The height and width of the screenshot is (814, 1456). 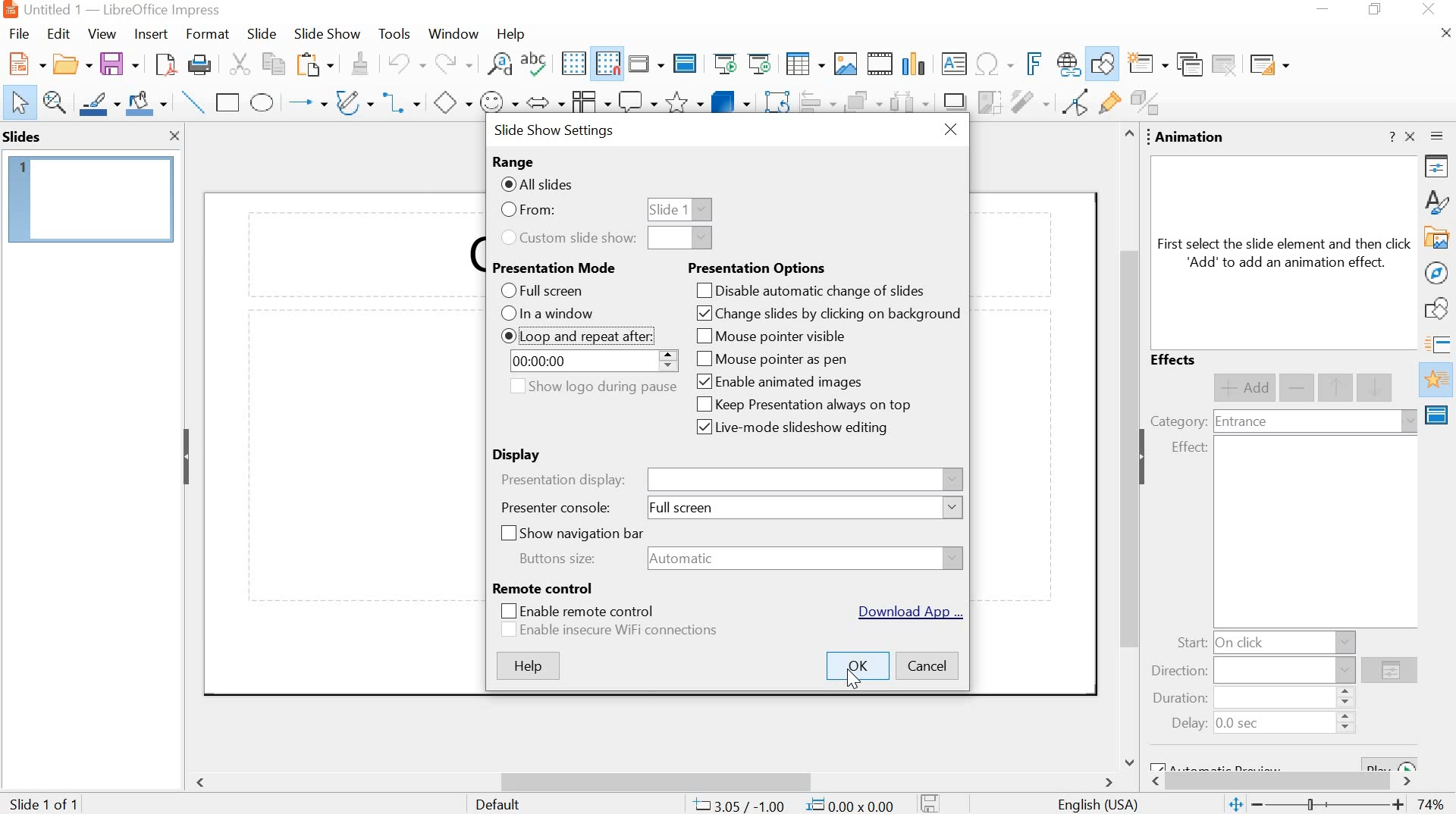 I want to click on show draw functions, so click(x=1103, y=64).